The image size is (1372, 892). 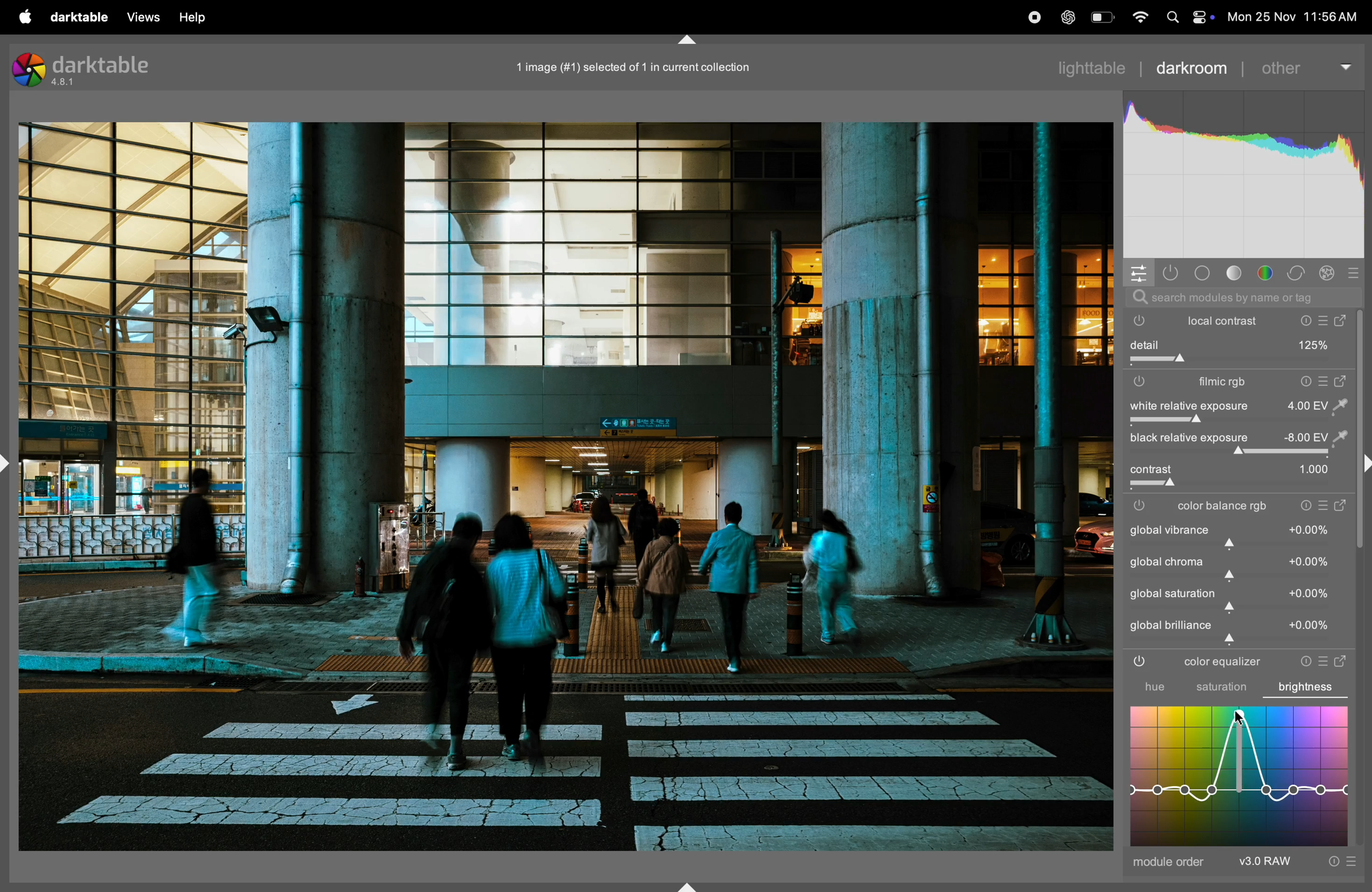 I want to click on Collapse or expand , so click(x=1363, y=465).